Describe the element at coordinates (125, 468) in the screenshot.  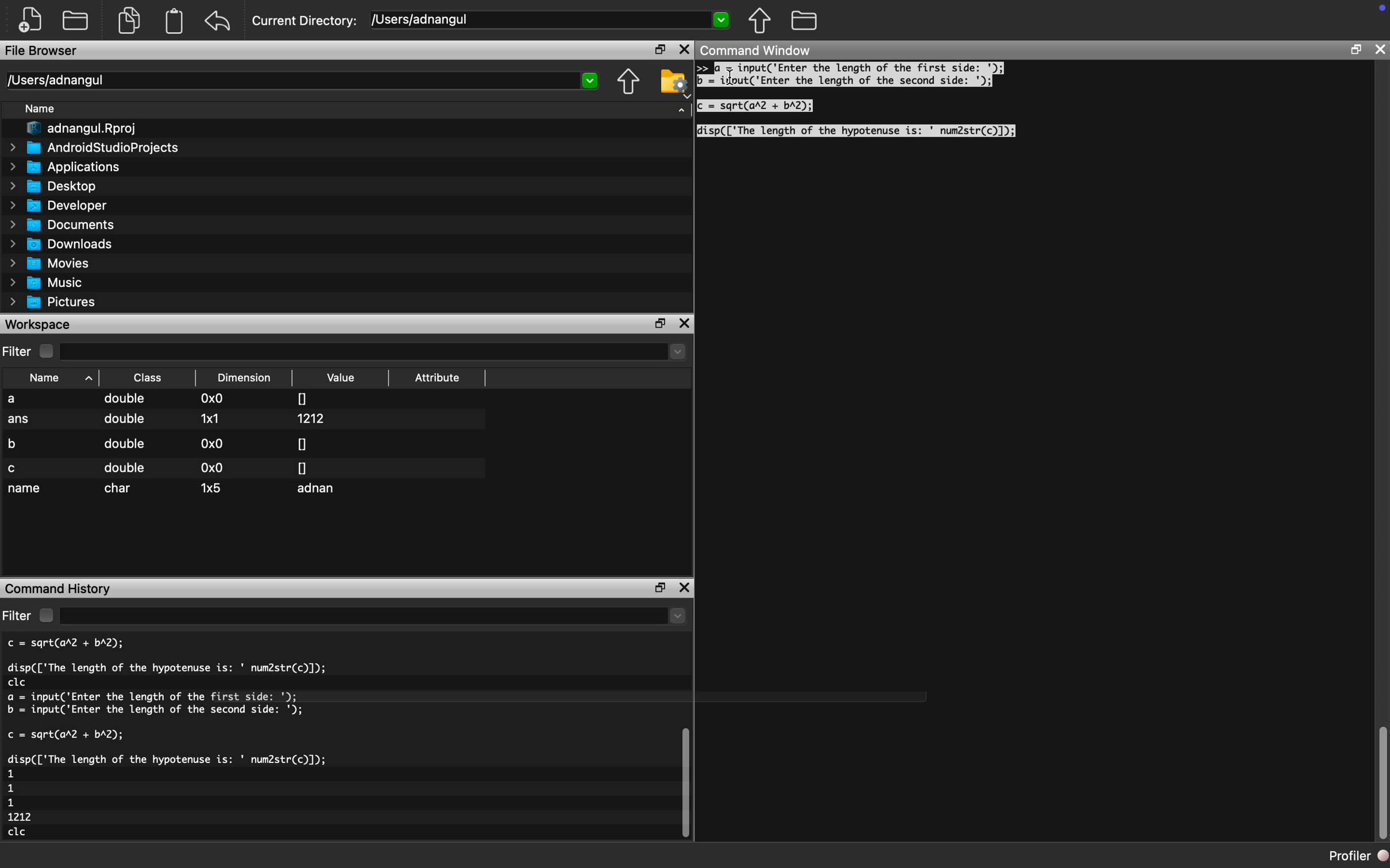
I see `double` at that location.